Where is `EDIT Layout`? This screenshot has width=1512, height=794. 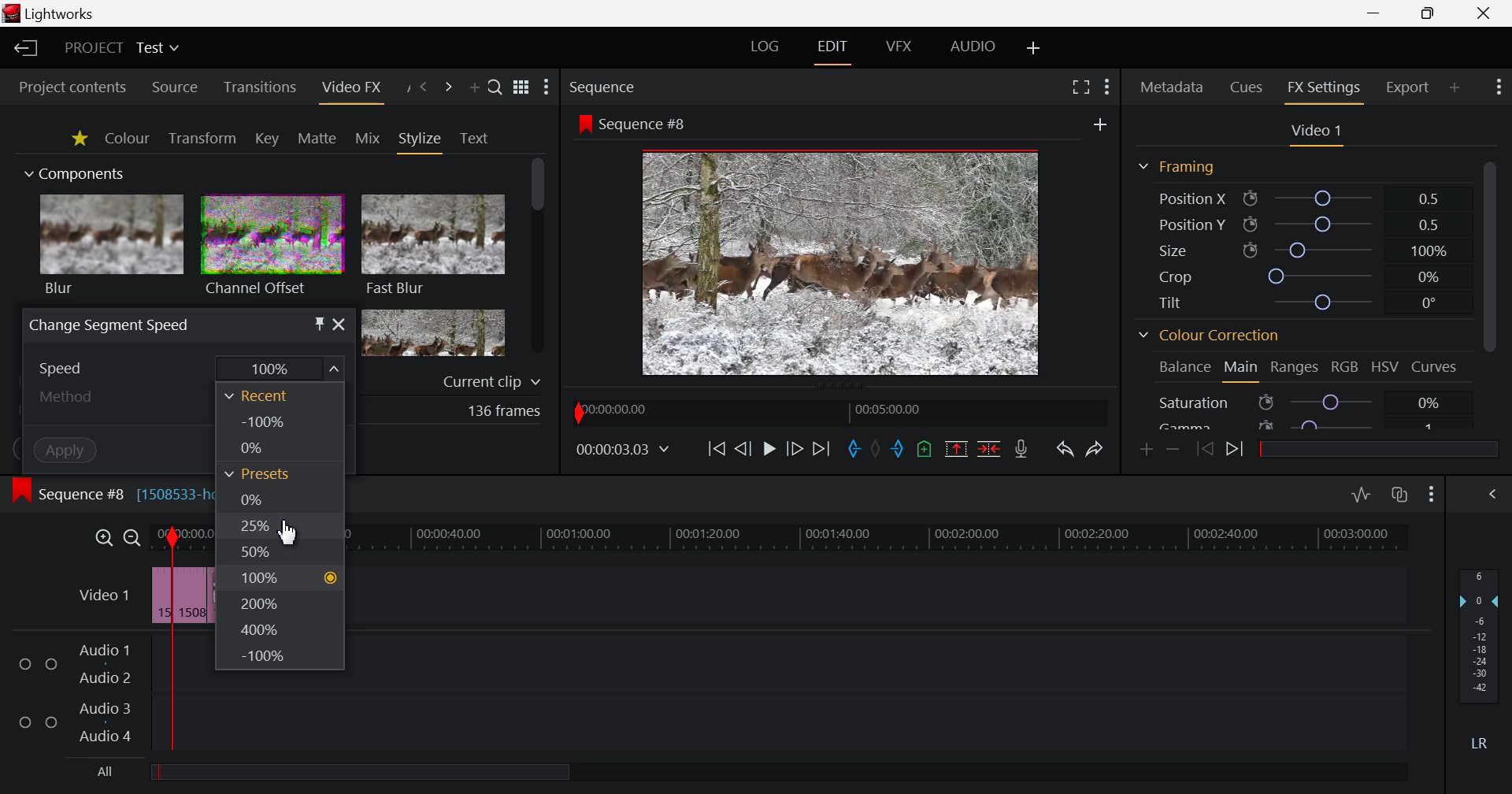 EDIT Layout is located at coordinates (831, 50).